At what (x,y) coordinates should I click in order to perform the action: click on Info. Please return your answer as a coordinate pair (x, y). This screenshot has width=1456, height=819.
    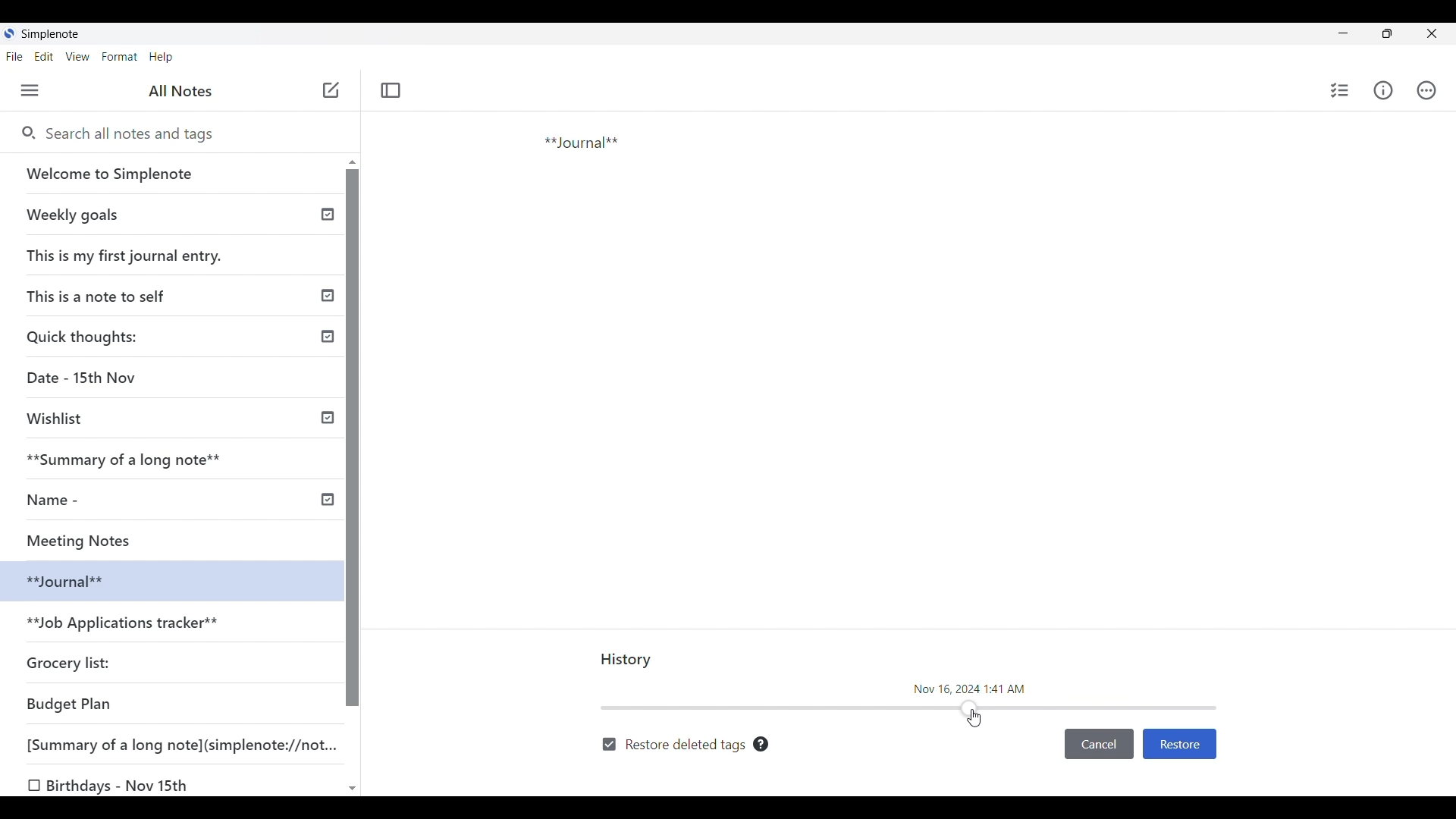
    Looking at the image, I should click on (1382, 89).